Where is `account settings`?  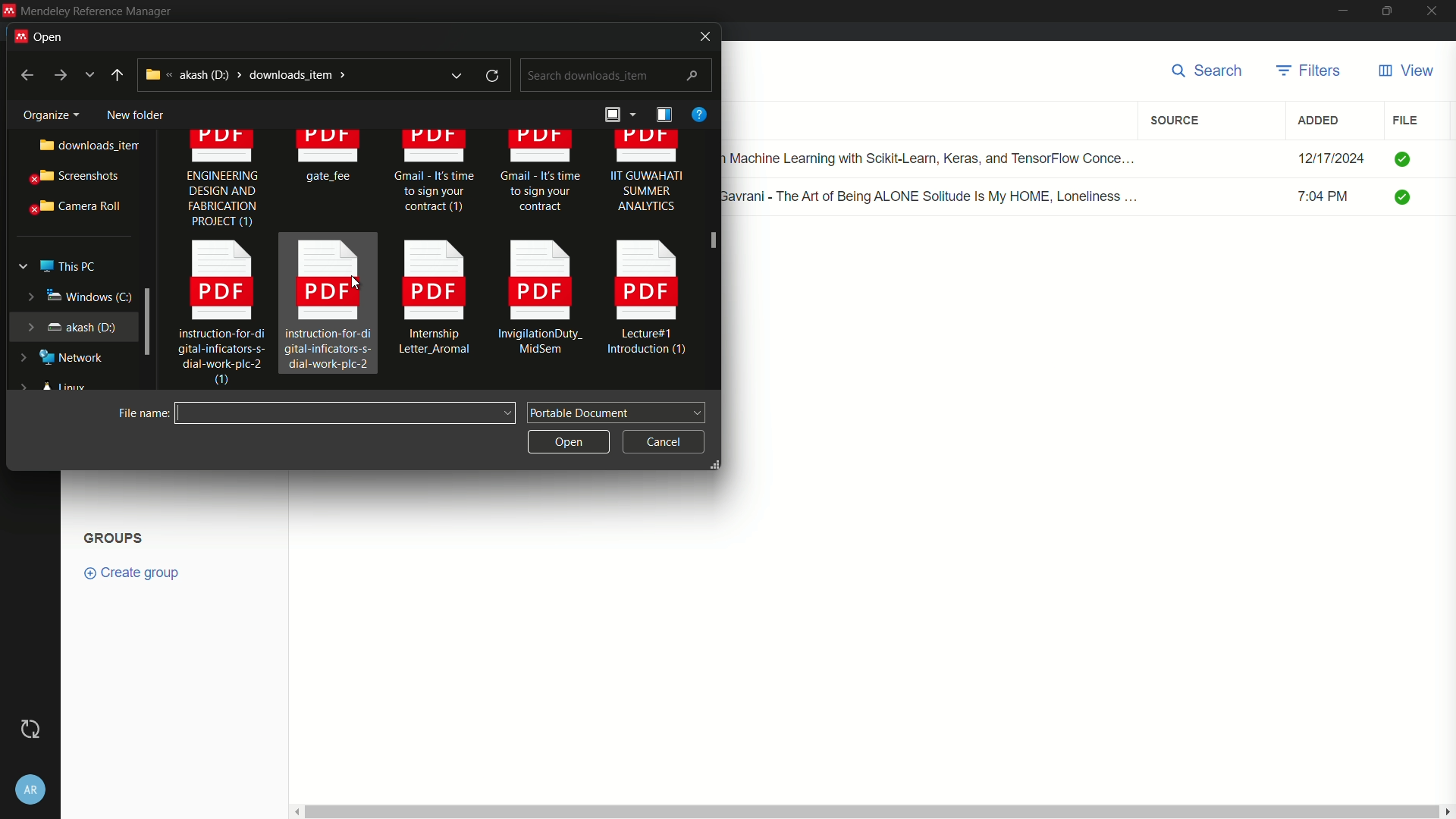 account settings is located at coordinates (31, 786).